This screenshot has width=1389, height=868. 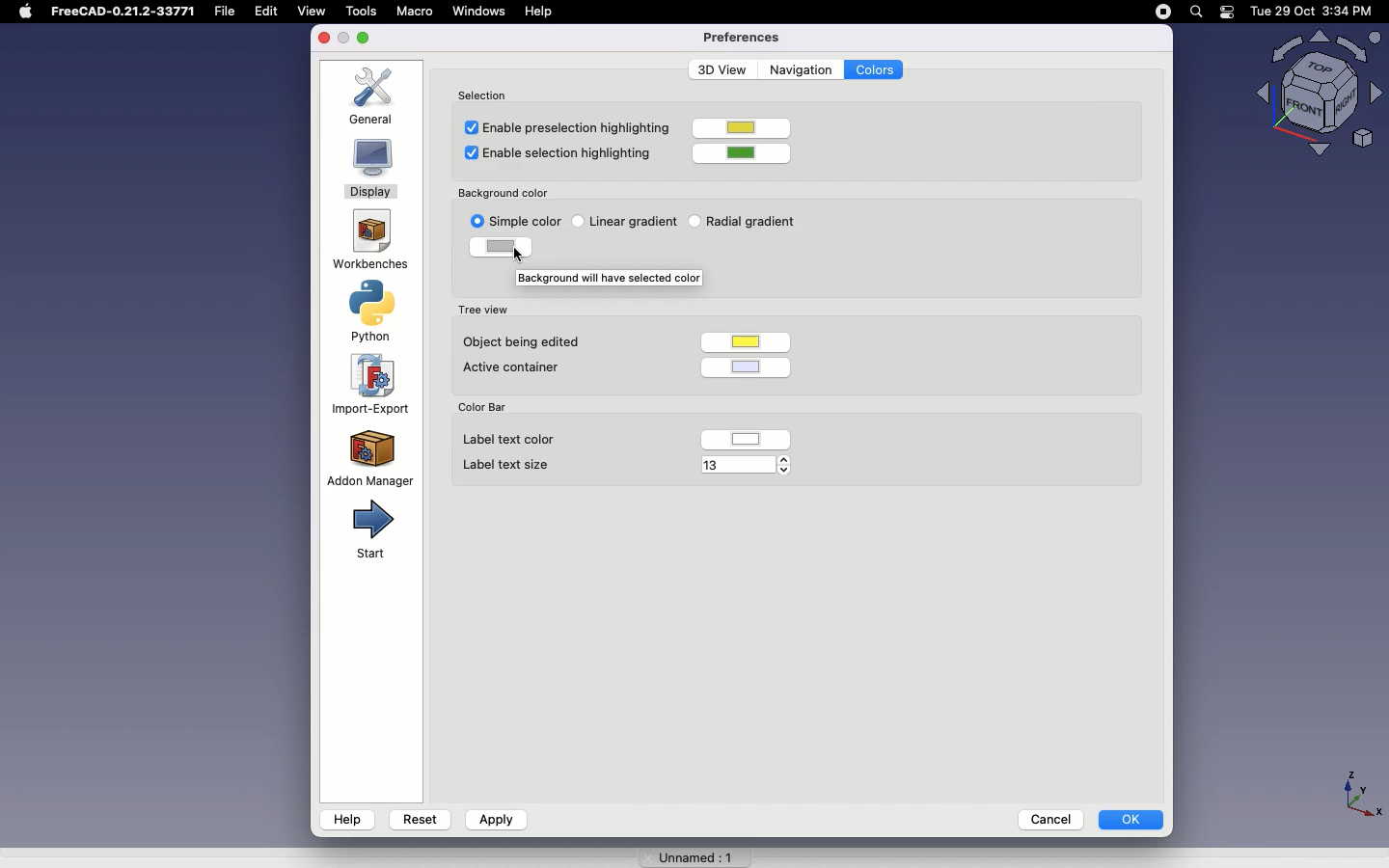 What do you see at coordinates (875, 70) in the screenshot?
I see `Colors` at bounding box center [875, 70].